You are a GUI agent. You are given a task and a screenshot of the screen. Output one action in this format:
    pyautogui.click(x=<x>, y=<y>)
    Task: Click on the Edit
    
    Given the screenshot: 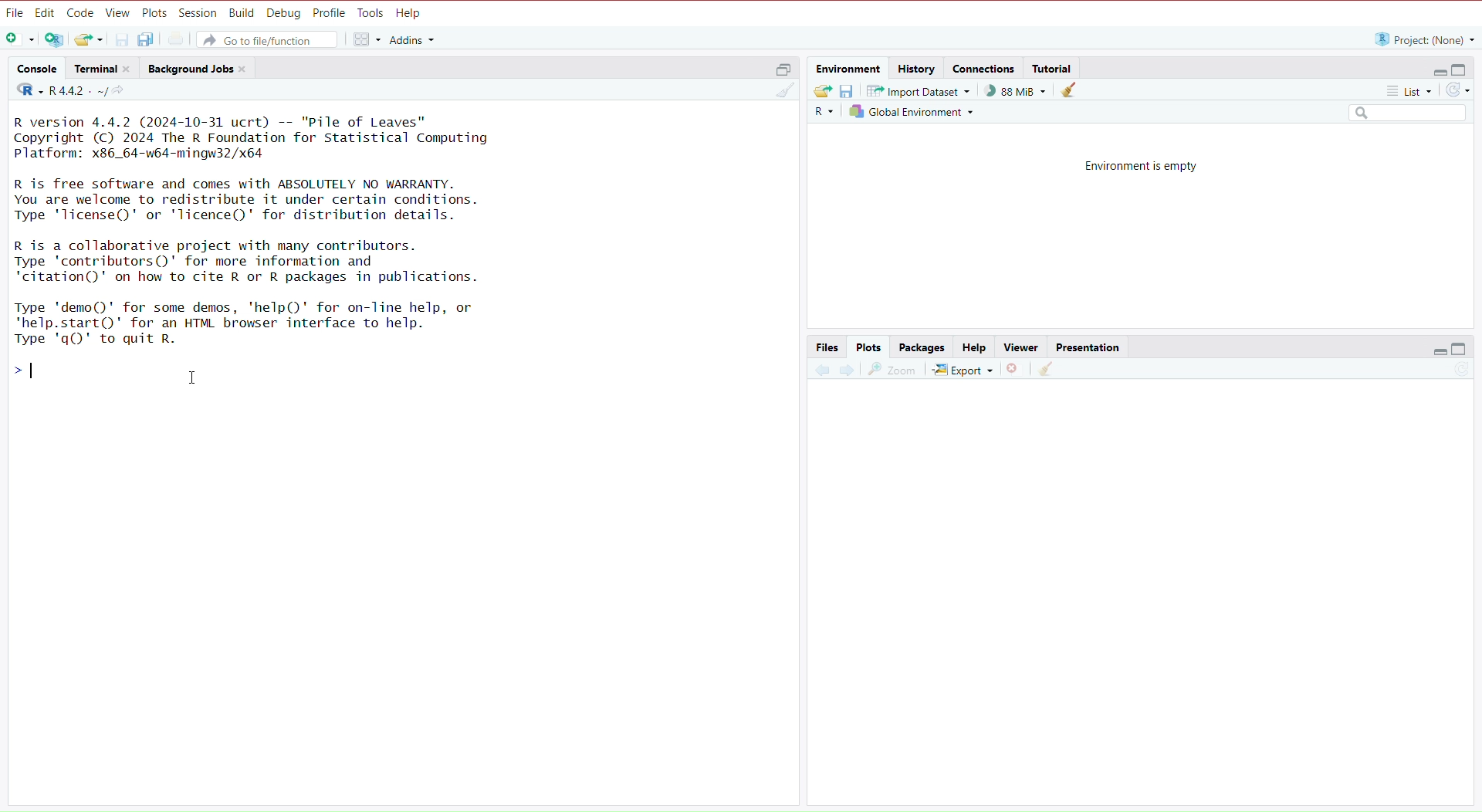 What is the action you would take?
    pyautogui.click(x=46, y=12)
    